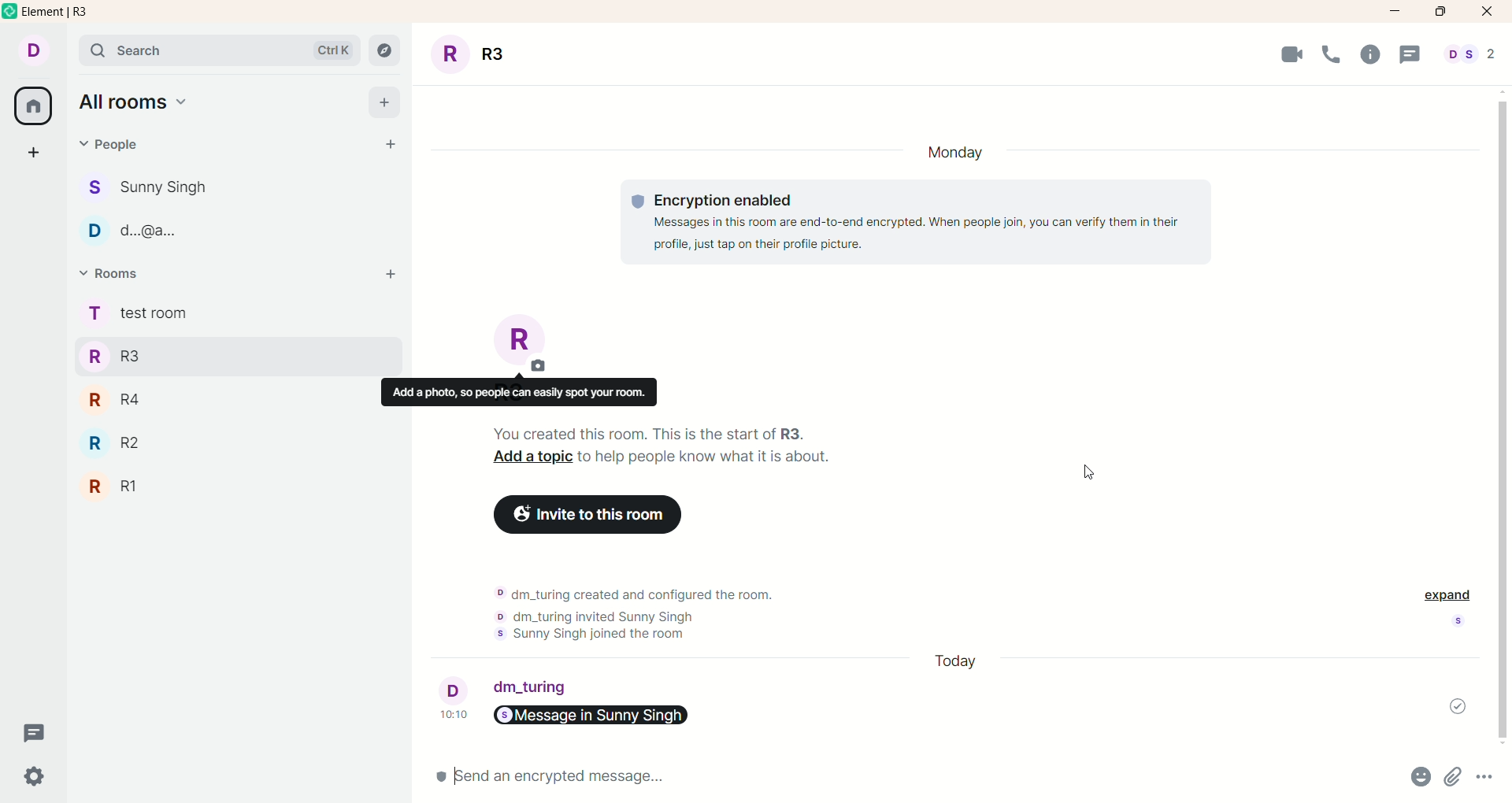 Image resolution: width=1512 pixels, height=803 pixels. What do you see at coordinates (146, 105) in the screenshot?
I see `all rooms` at bounding box center [146, 105].